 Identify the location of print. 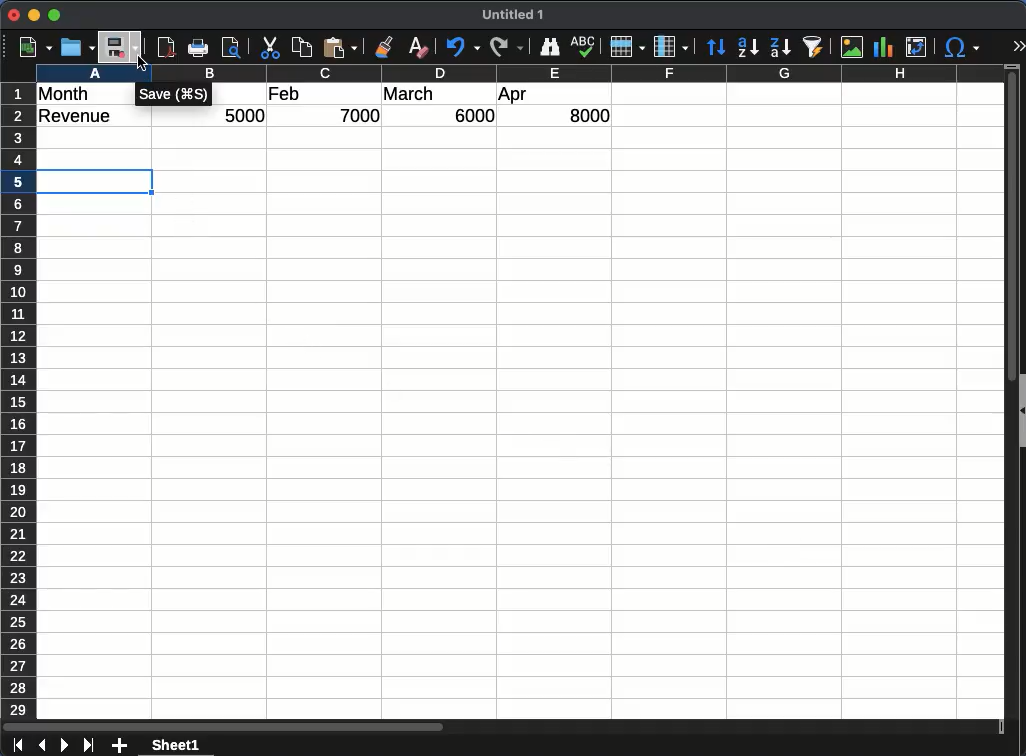
(199, 48).